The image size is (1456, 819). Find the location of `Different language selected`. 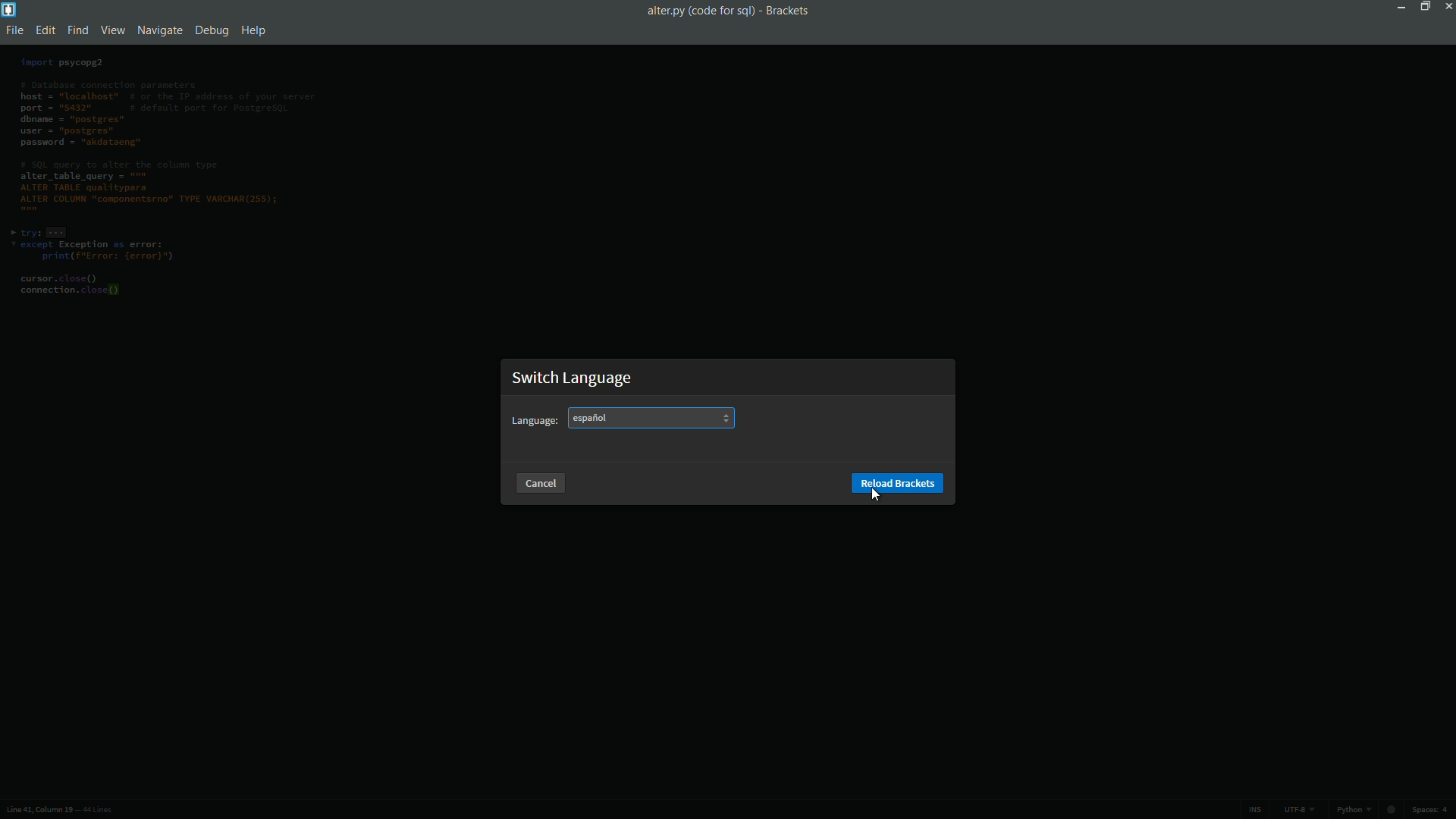

Different language selected is located at coordinates (588, 419).